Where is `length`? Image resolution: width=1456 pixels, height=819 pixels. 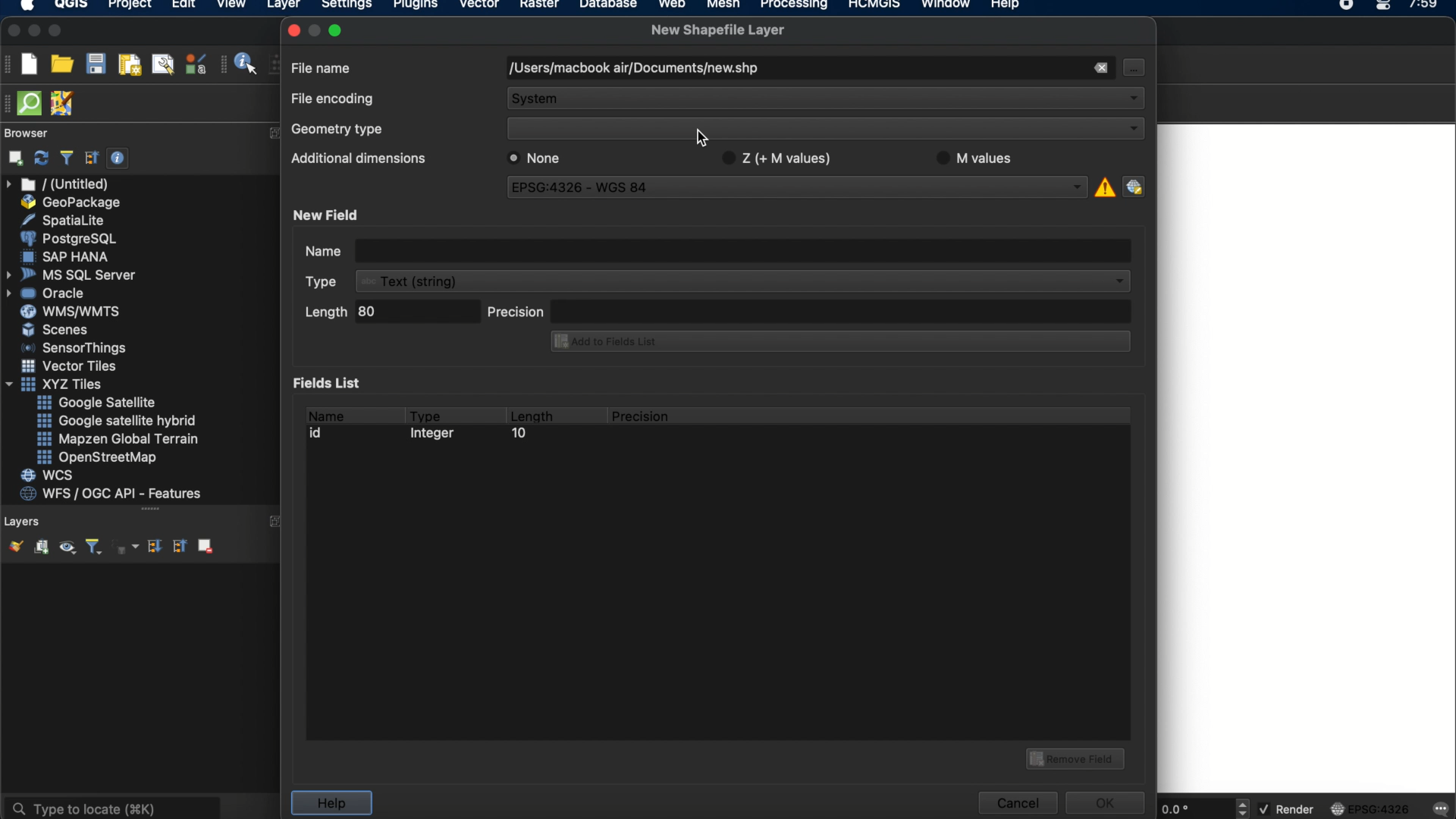
length is located at coordinates (531, 413).